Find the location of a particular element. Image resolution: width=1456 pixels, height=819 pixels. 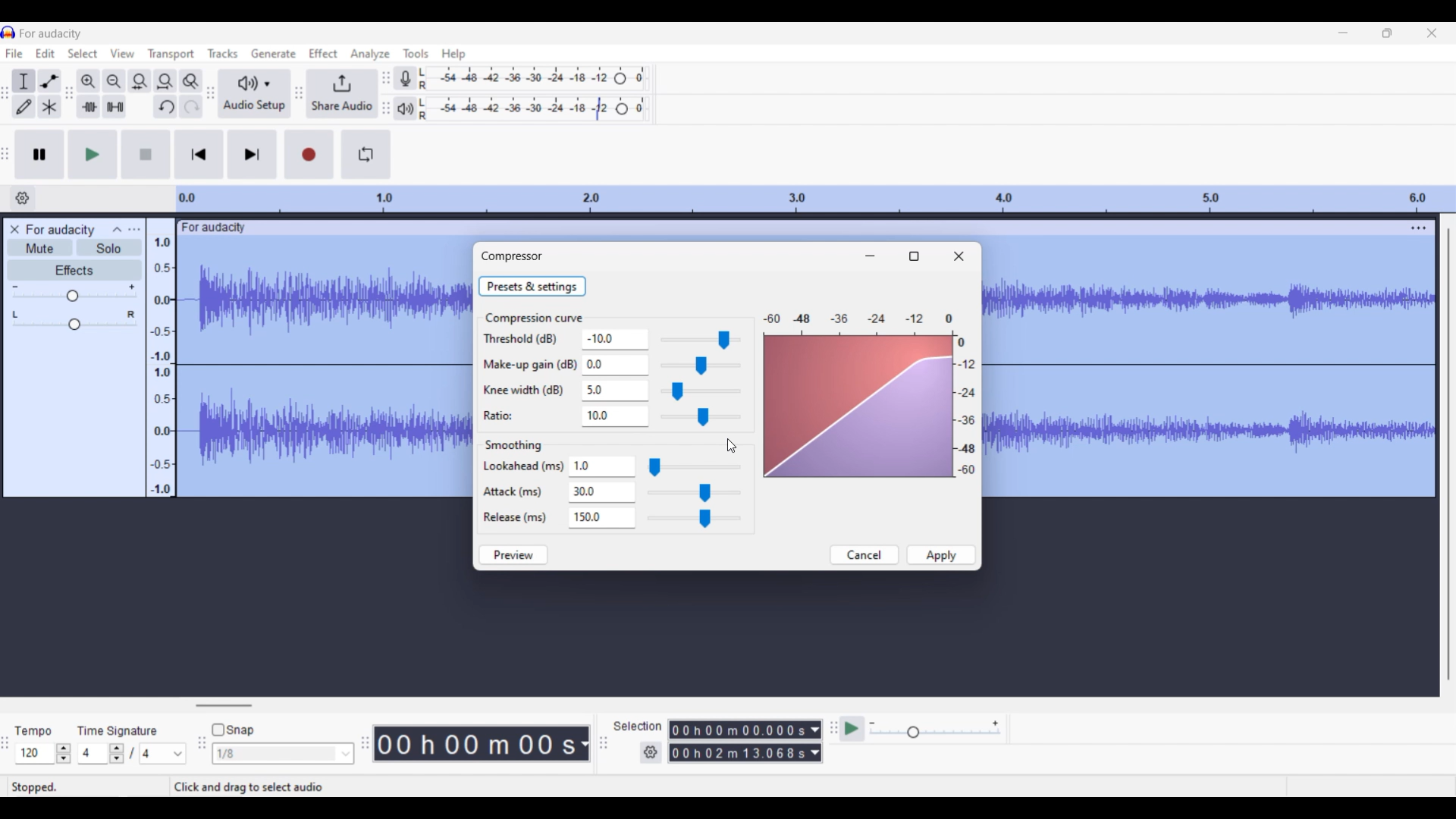

Playback speed scale is located at coordinates (934, 730).